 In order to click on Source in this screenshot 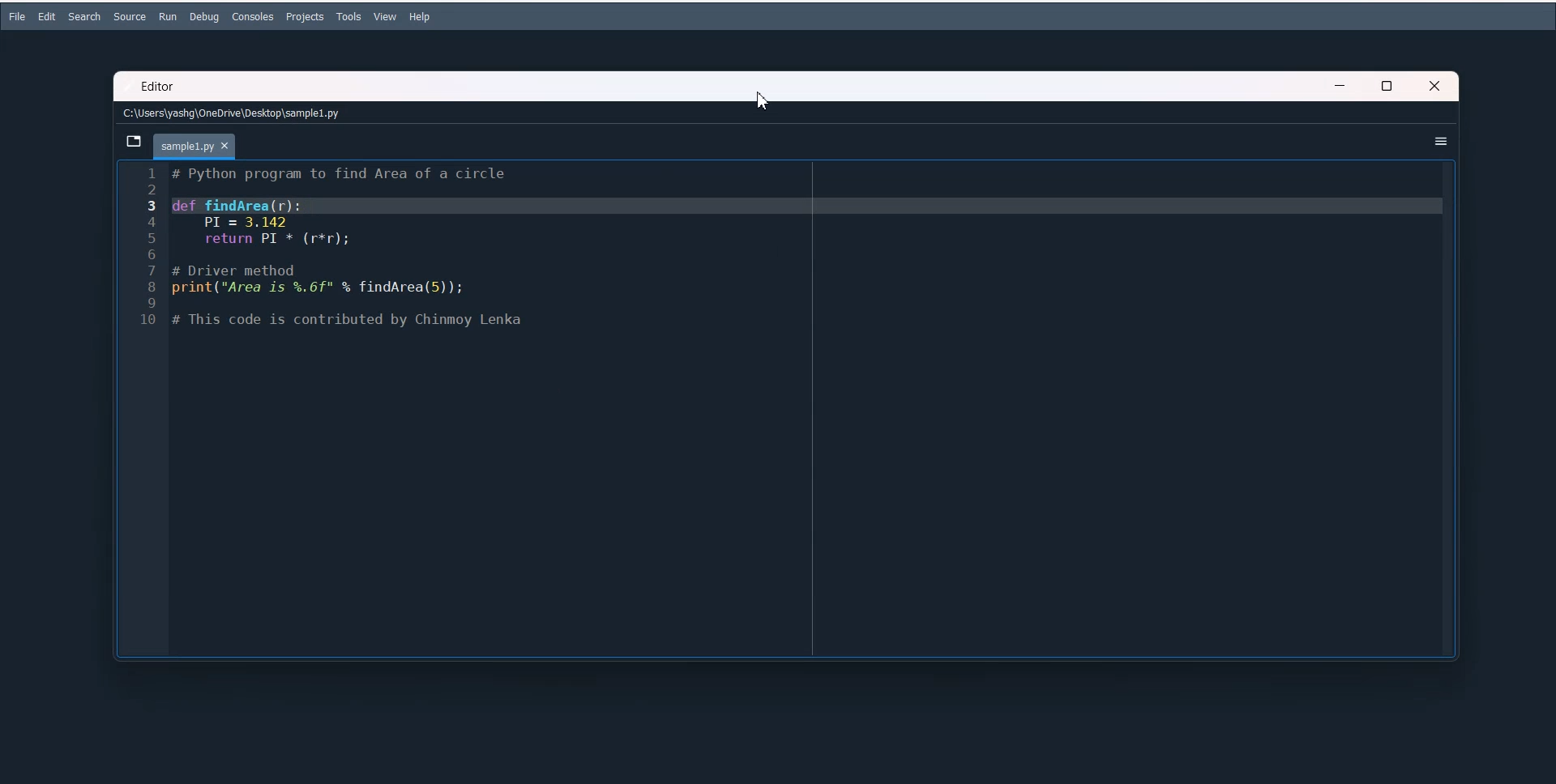, I will do `click(129, 17)`.